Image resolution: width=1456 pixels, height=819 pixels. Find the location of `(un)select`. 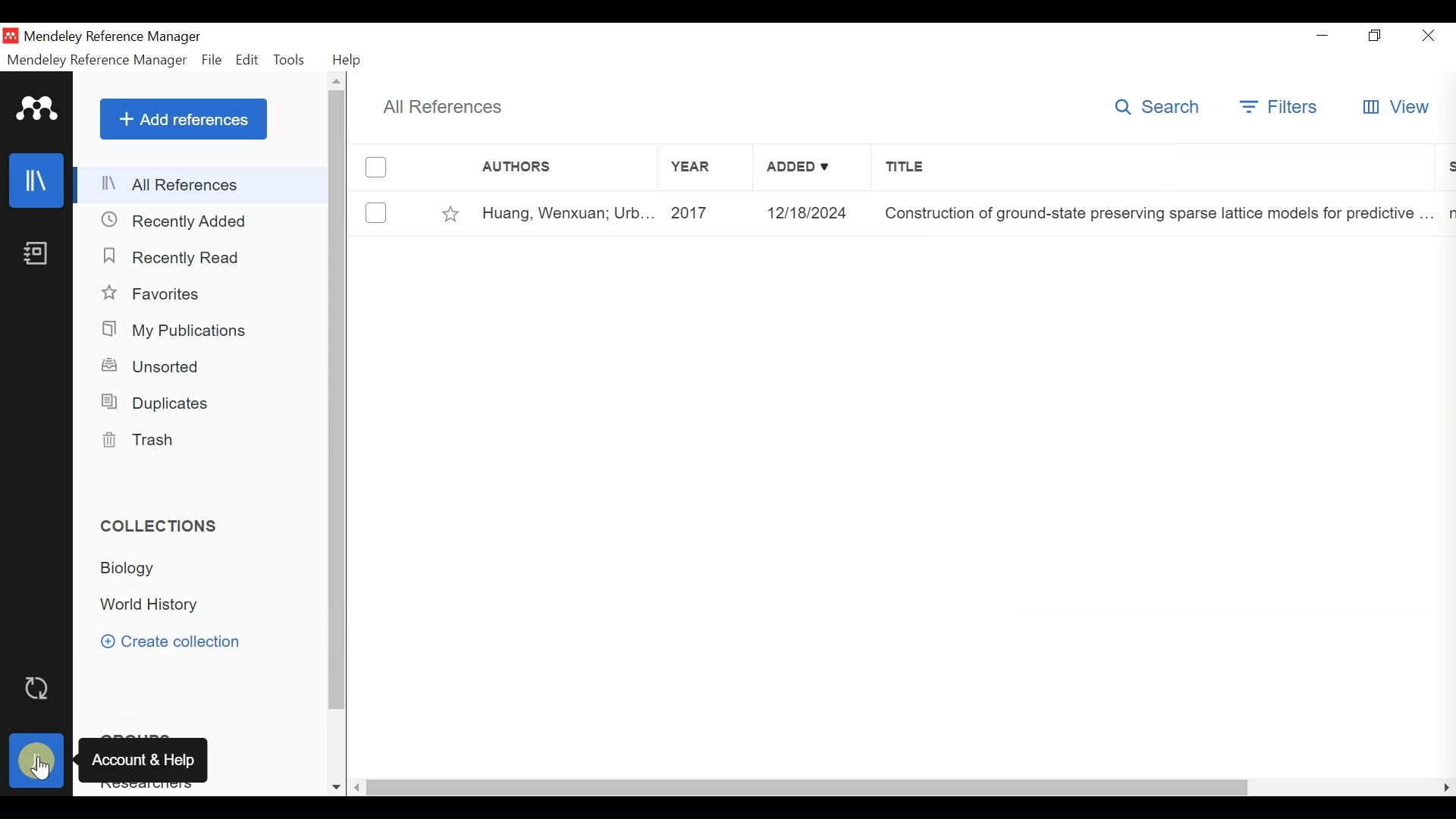

(un)select is located at coordinates (377, 213).